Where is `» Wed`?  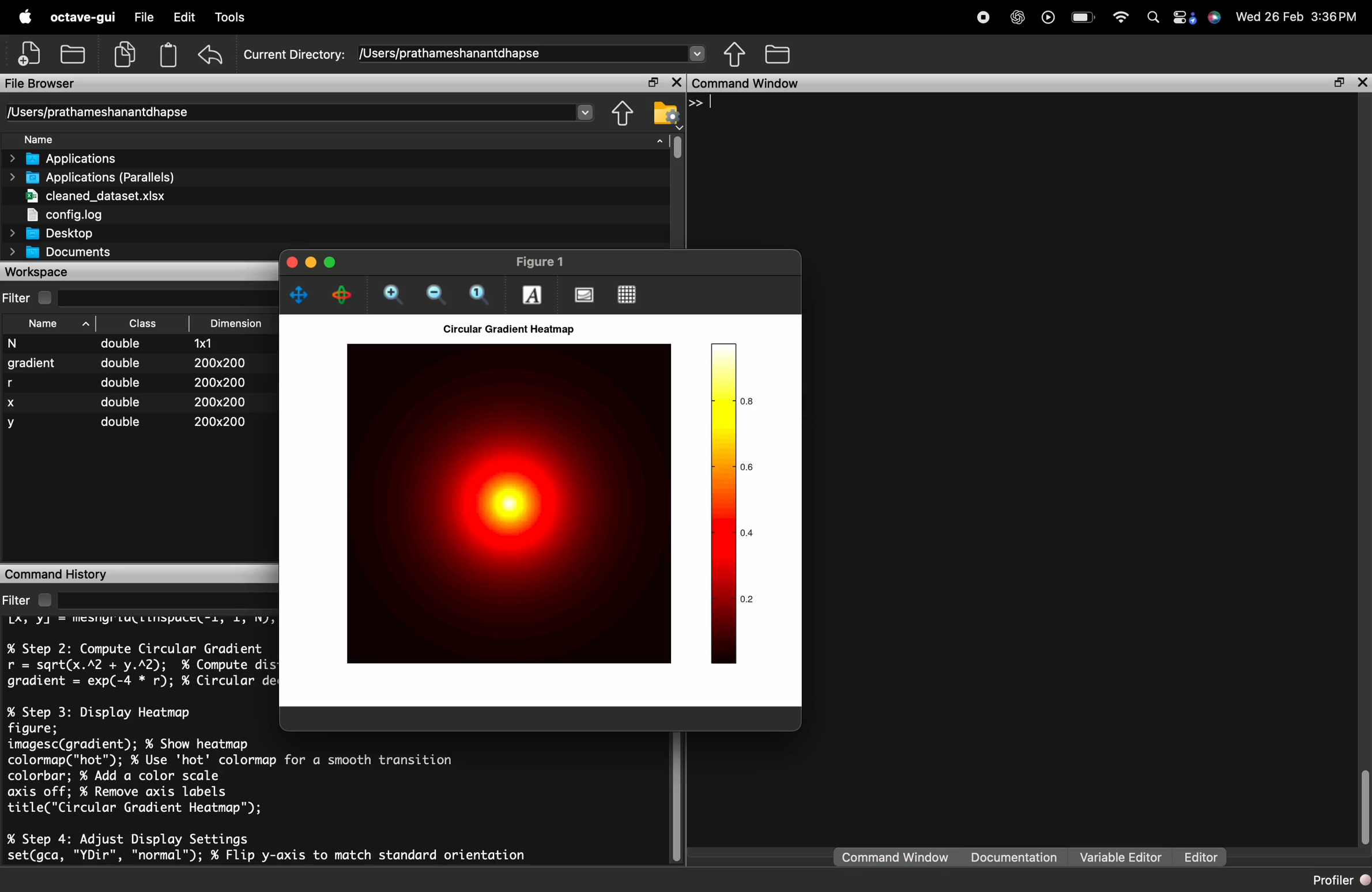
» Wed is located at coordinates (1246, 17).